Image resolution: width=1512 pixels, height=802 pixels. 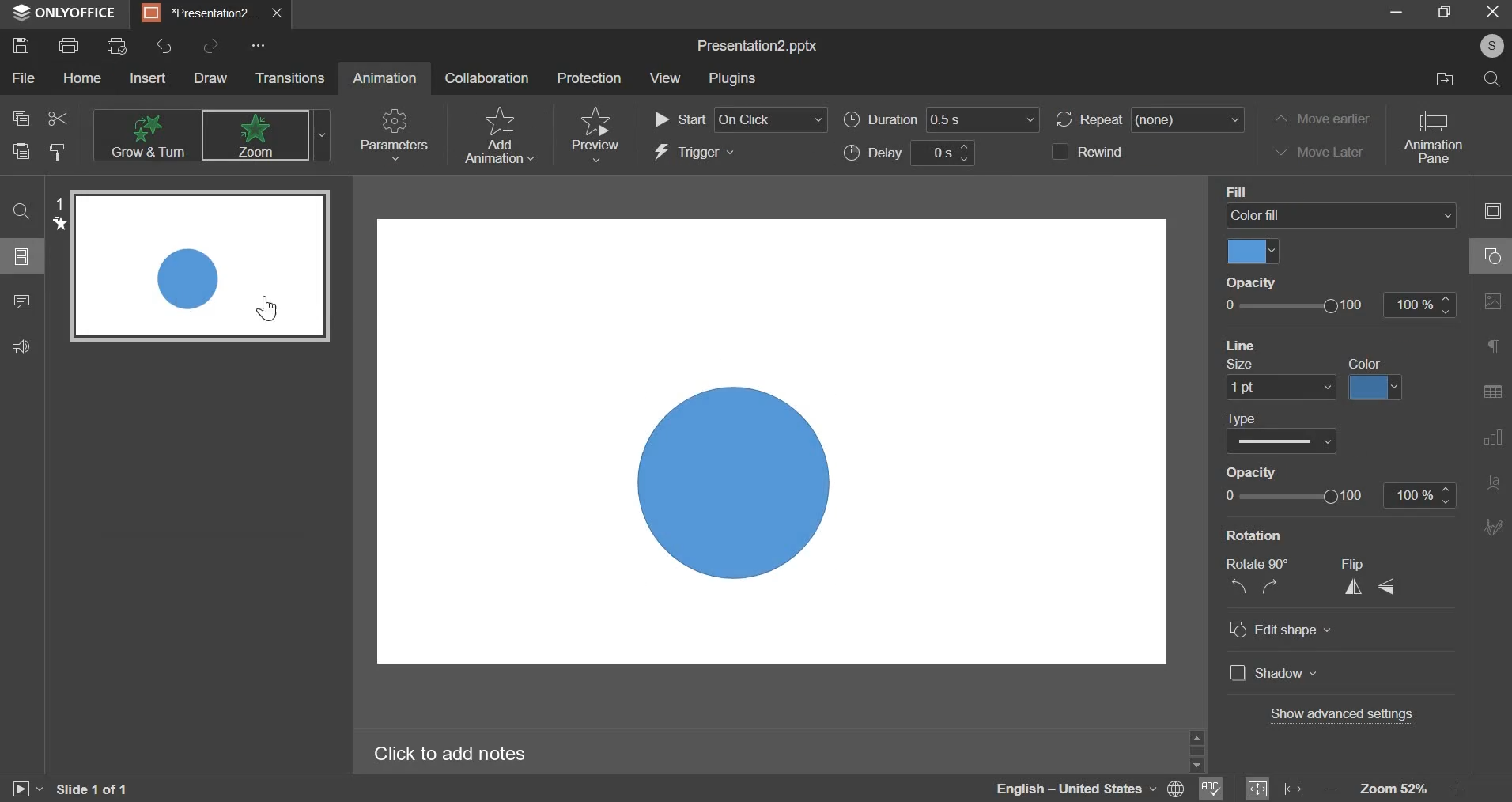 What do you see at coordinates (735, 80) in the screenshot?
I see `Plug` at bounding box center [735, 80].